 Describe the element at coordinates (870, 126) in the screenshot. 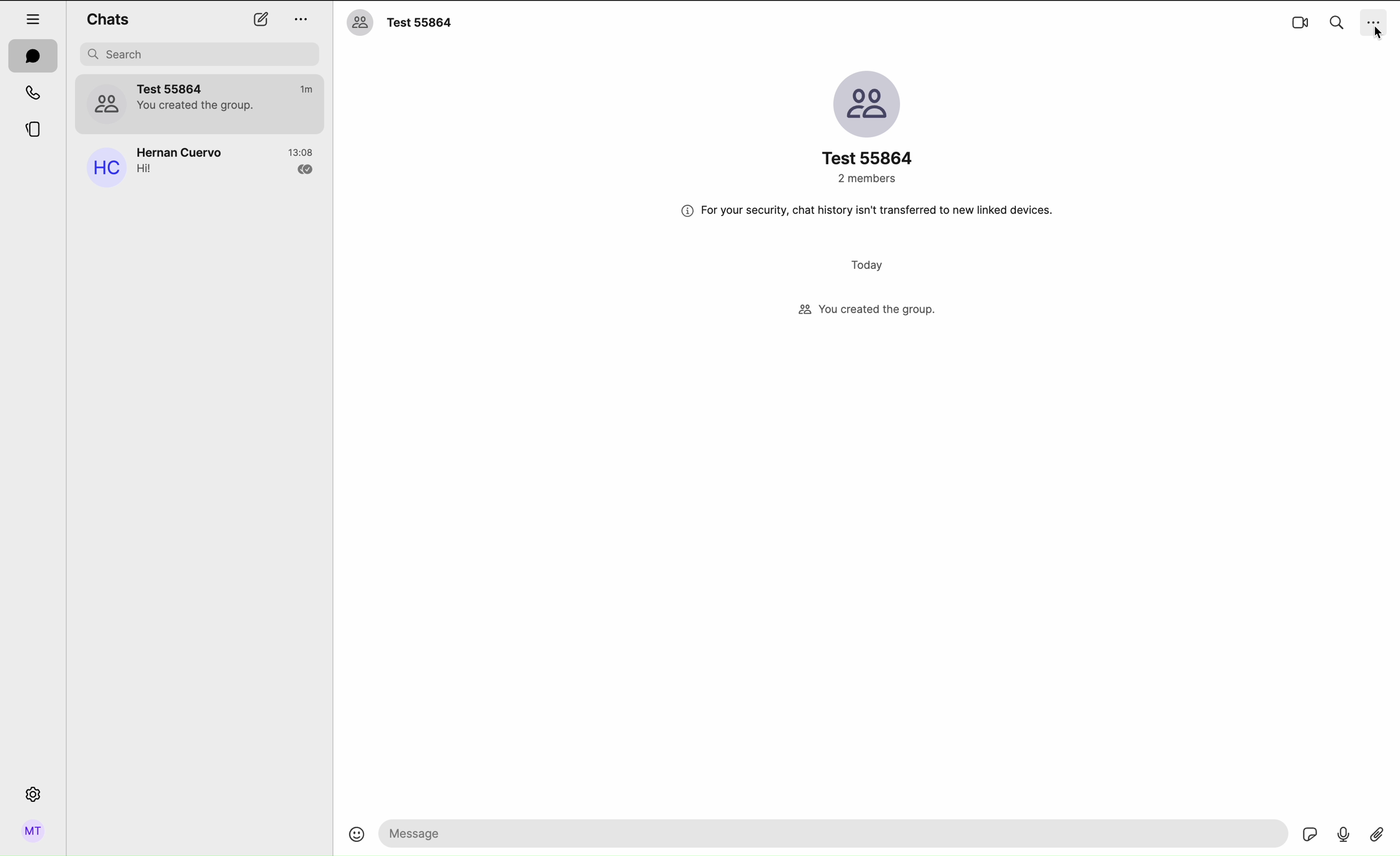

I see `profile group` at that location.